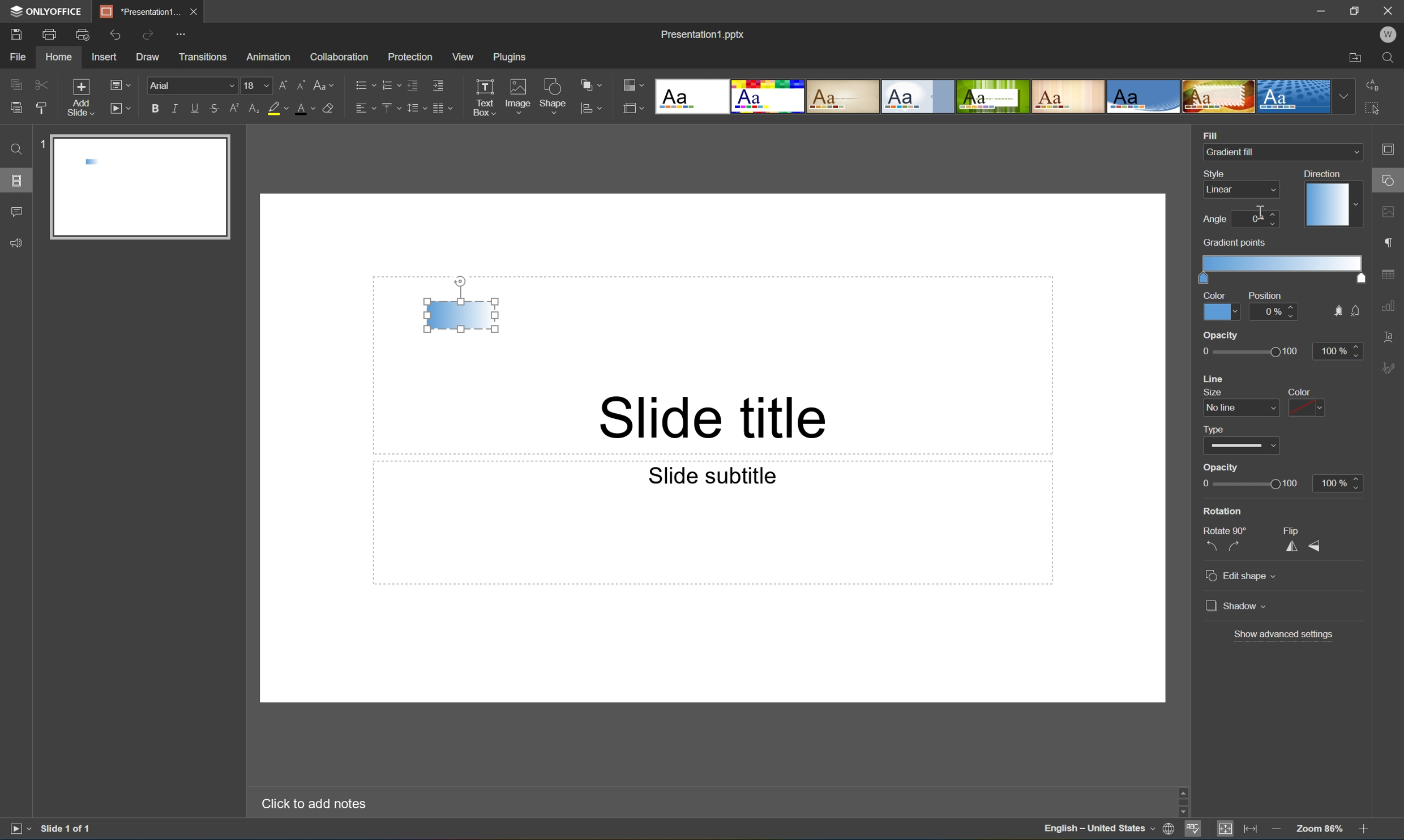  Describe the element at coordinates (1251, 830) in the screenshot. I see `Fit to width` at that location.